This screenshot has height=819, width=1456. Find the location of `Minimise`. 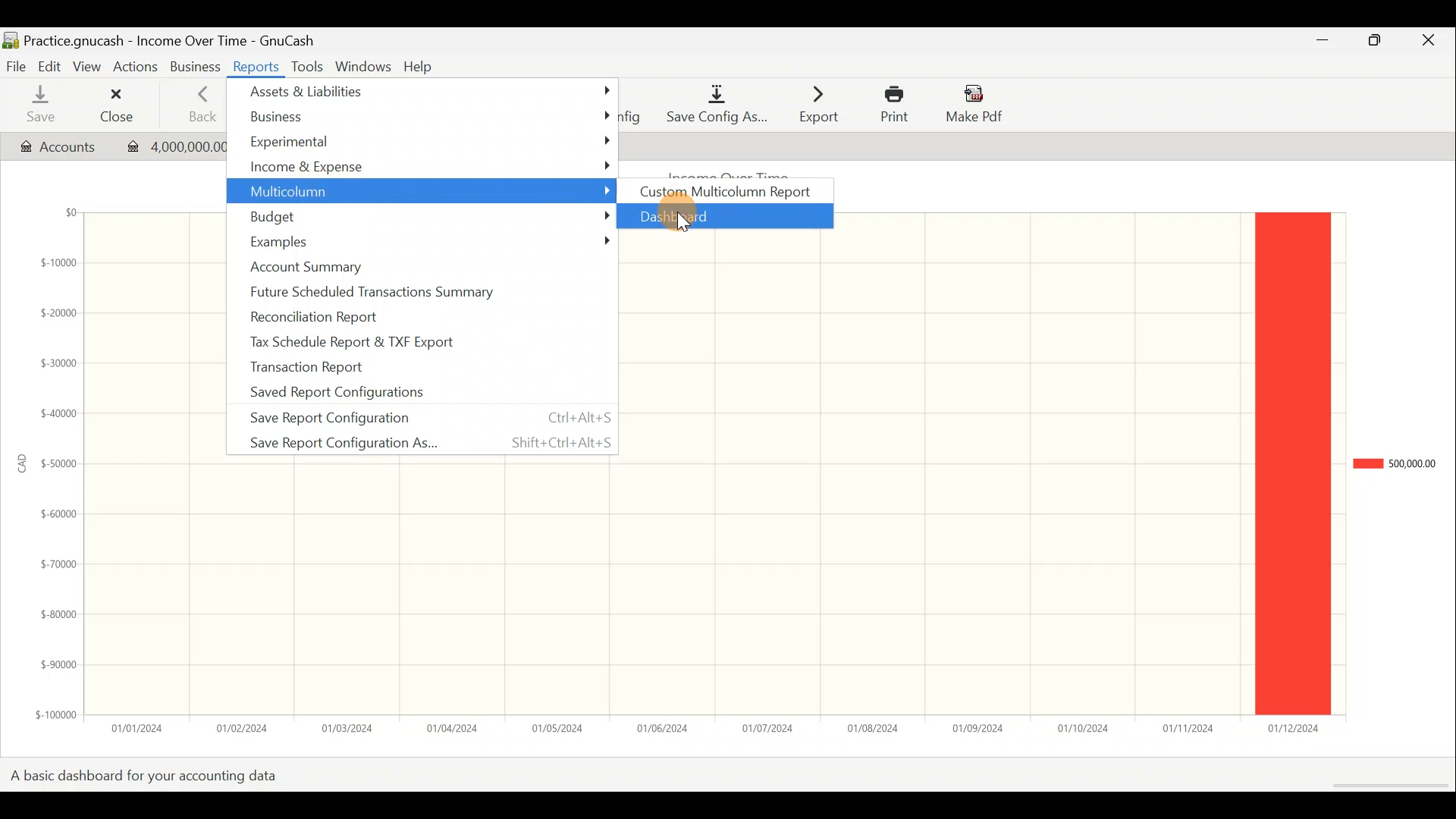

Minimise is located at coordinates (1326, 40).